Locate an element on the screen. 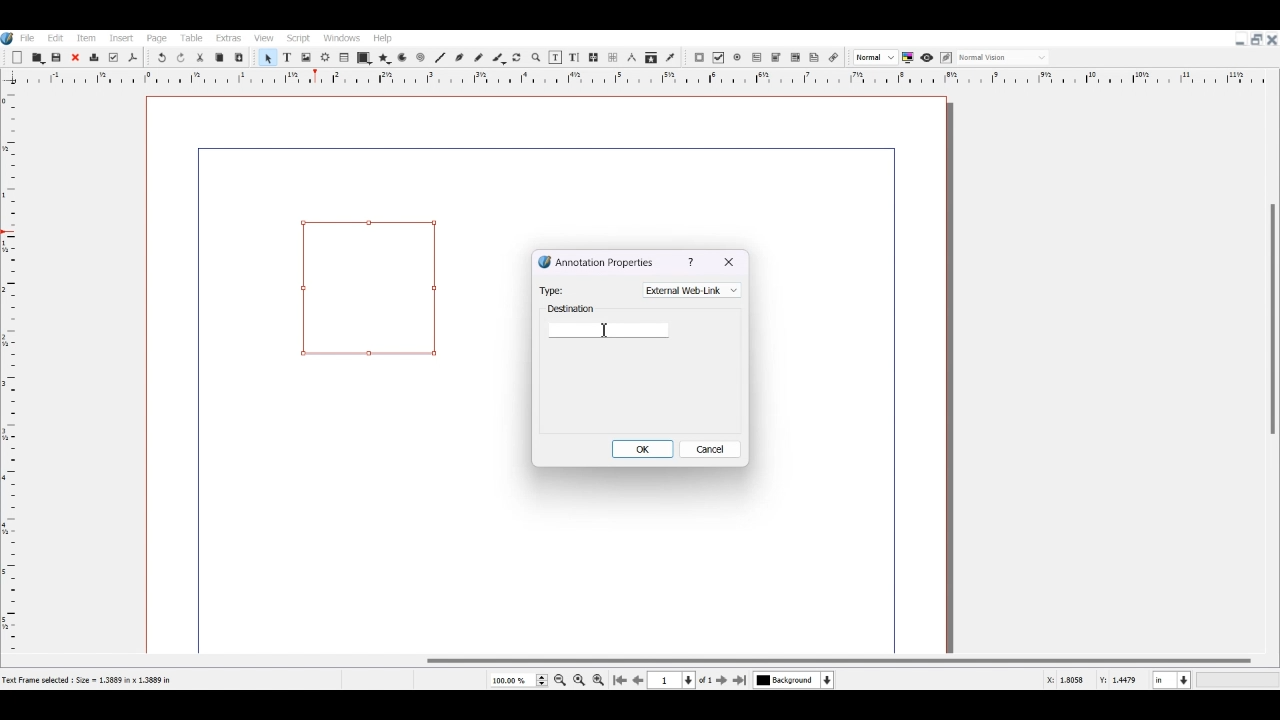 The width and height of the screenshot is (1280, 720). Toggle color management system is located at coordinates (909, 57).